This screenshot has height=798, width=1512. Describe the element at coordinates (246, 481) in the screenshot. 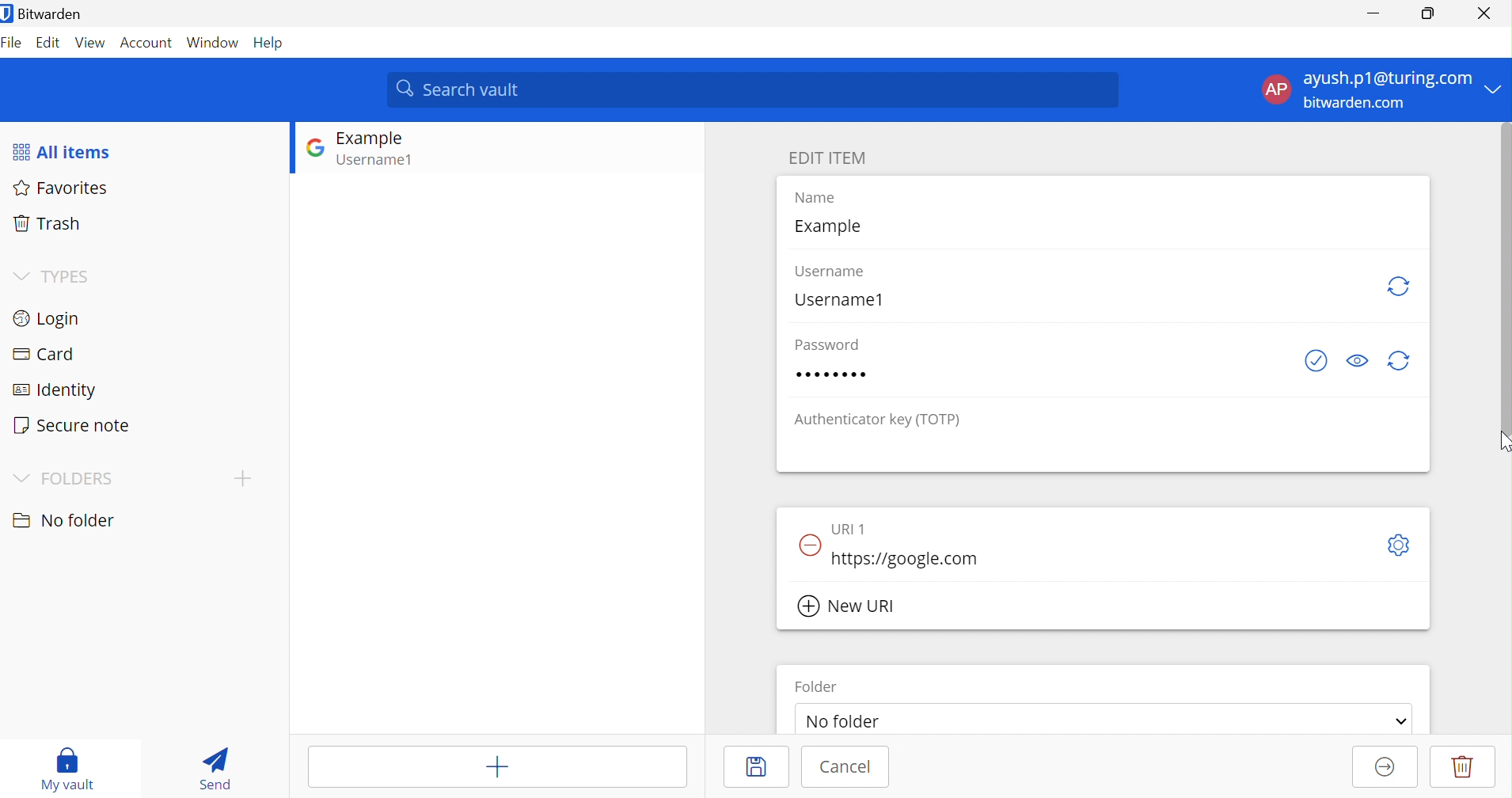

I see `CREATE FOLDER` at that location.